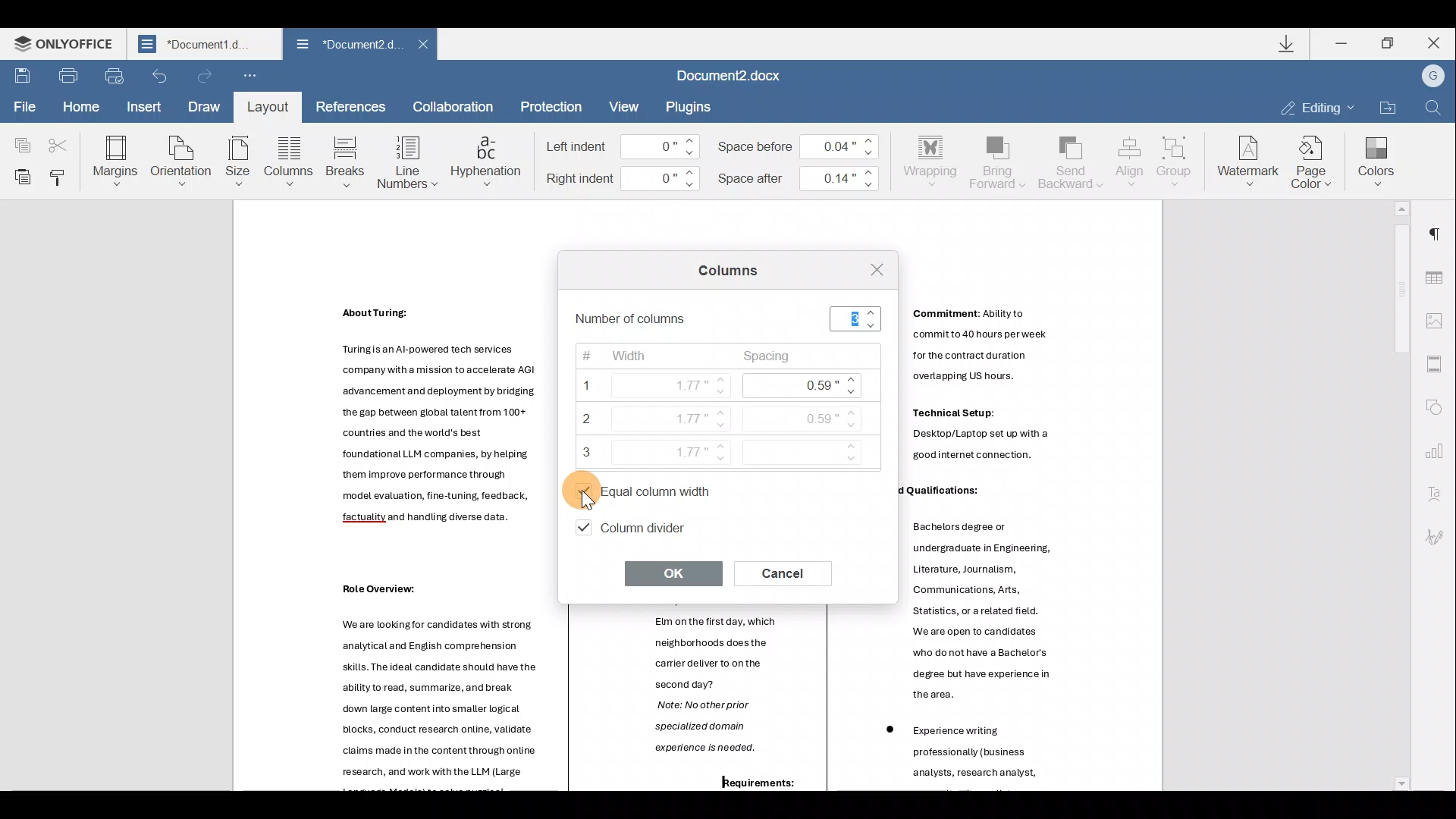 This screenshot has width=1456, height=819. Describe the element at coordinates (594, 500) in the screenshot. I see `Cursor` at that location.